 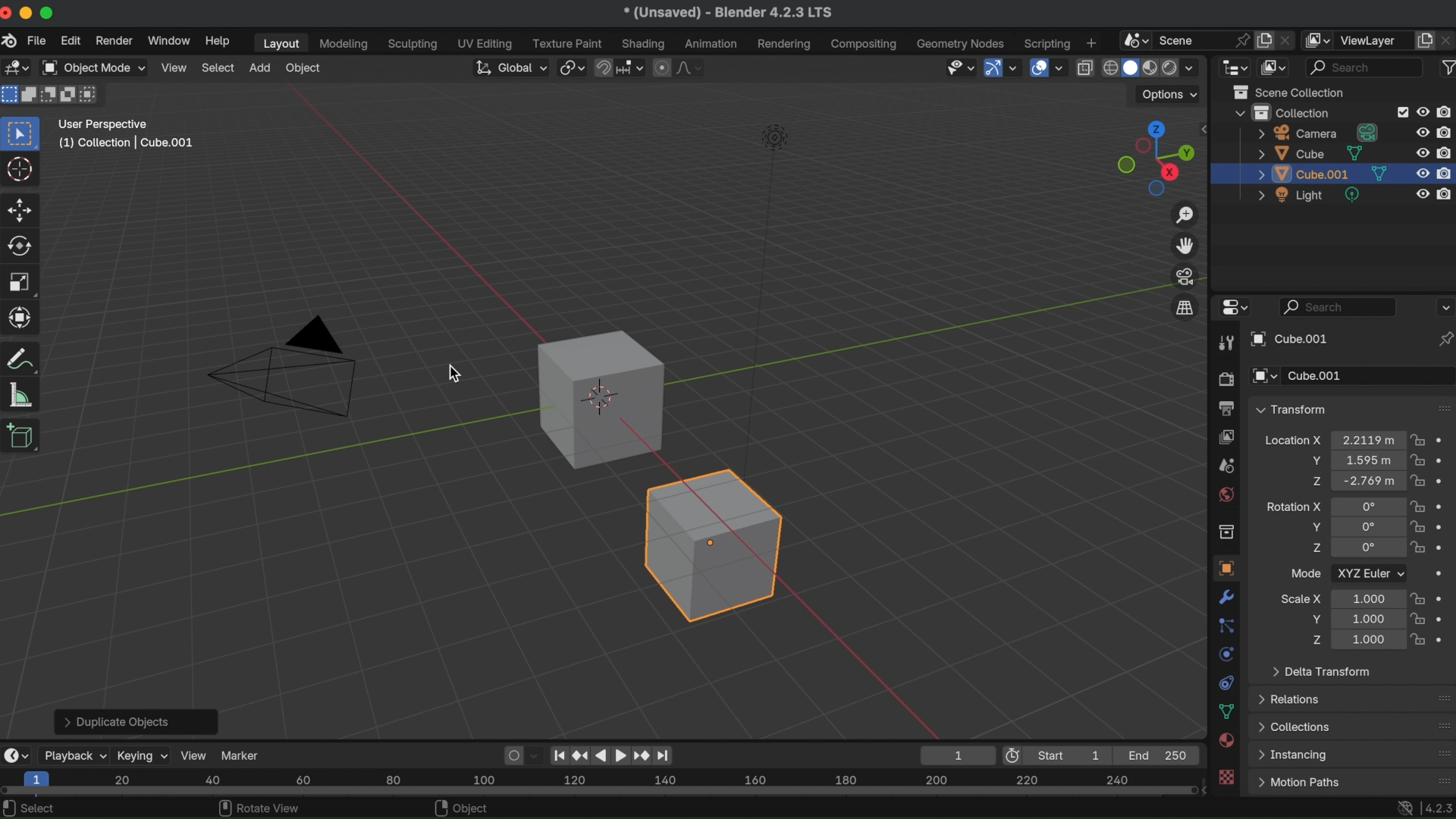 I want to click on use preview range, so click(x=1014, y=757).